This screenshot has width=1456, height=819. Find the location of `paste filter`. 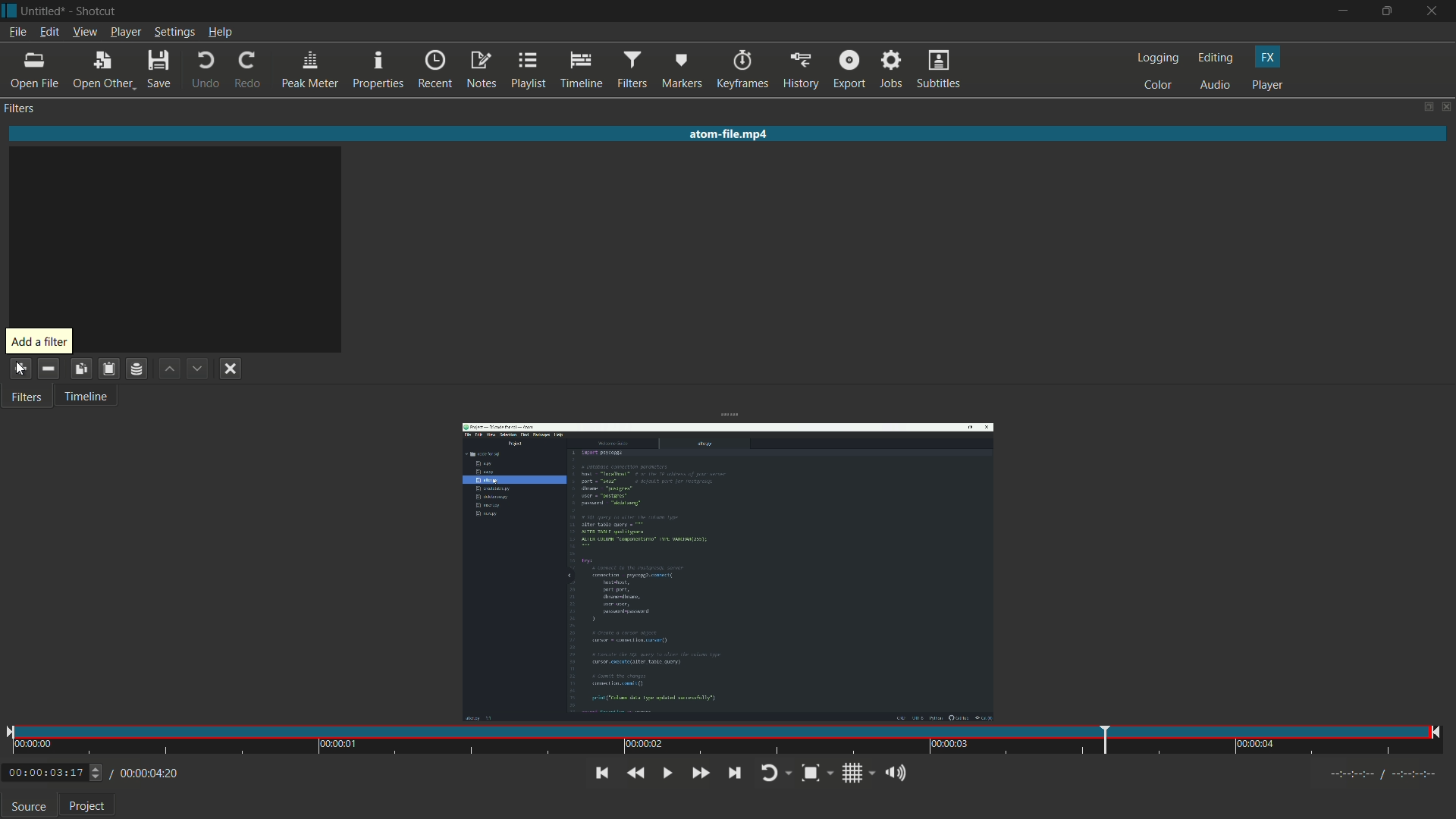

paste filter is located at coordinates (108, 369).